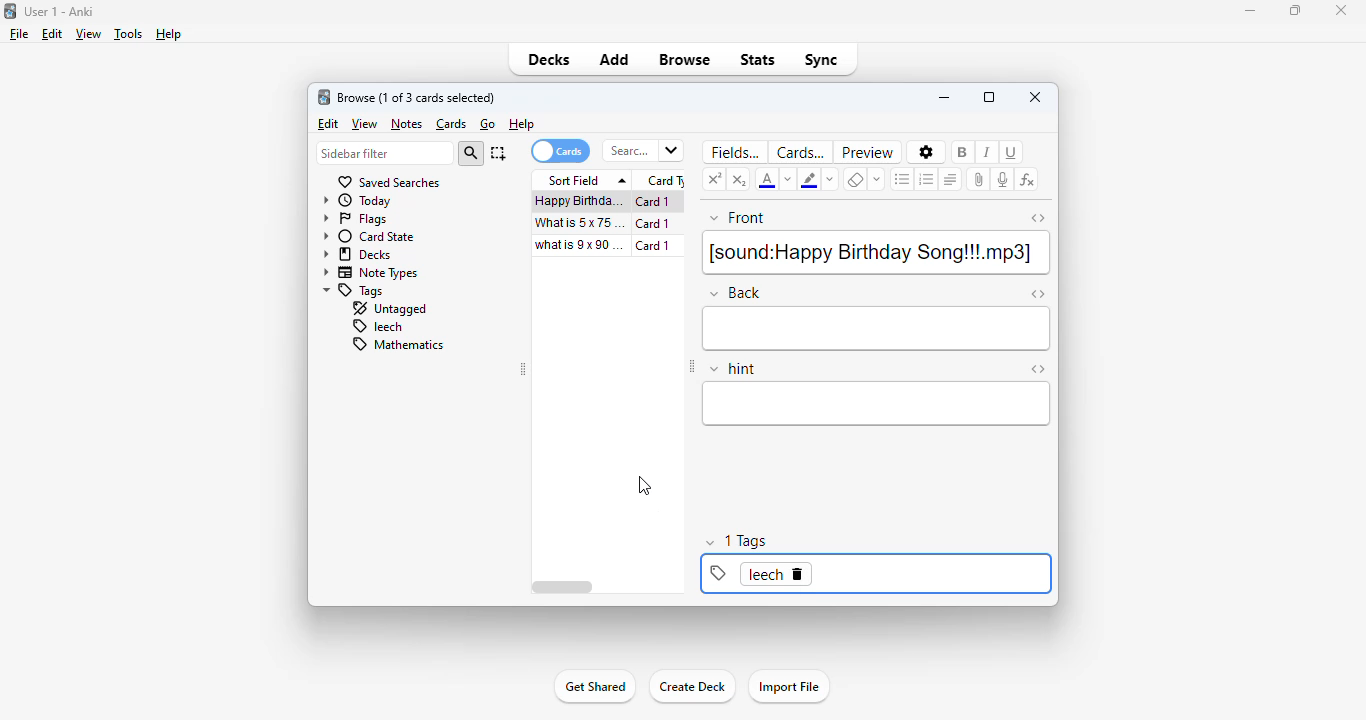 The height and width of the screenshot is (720, 1366). I want to click on change color, so click(789, 180).